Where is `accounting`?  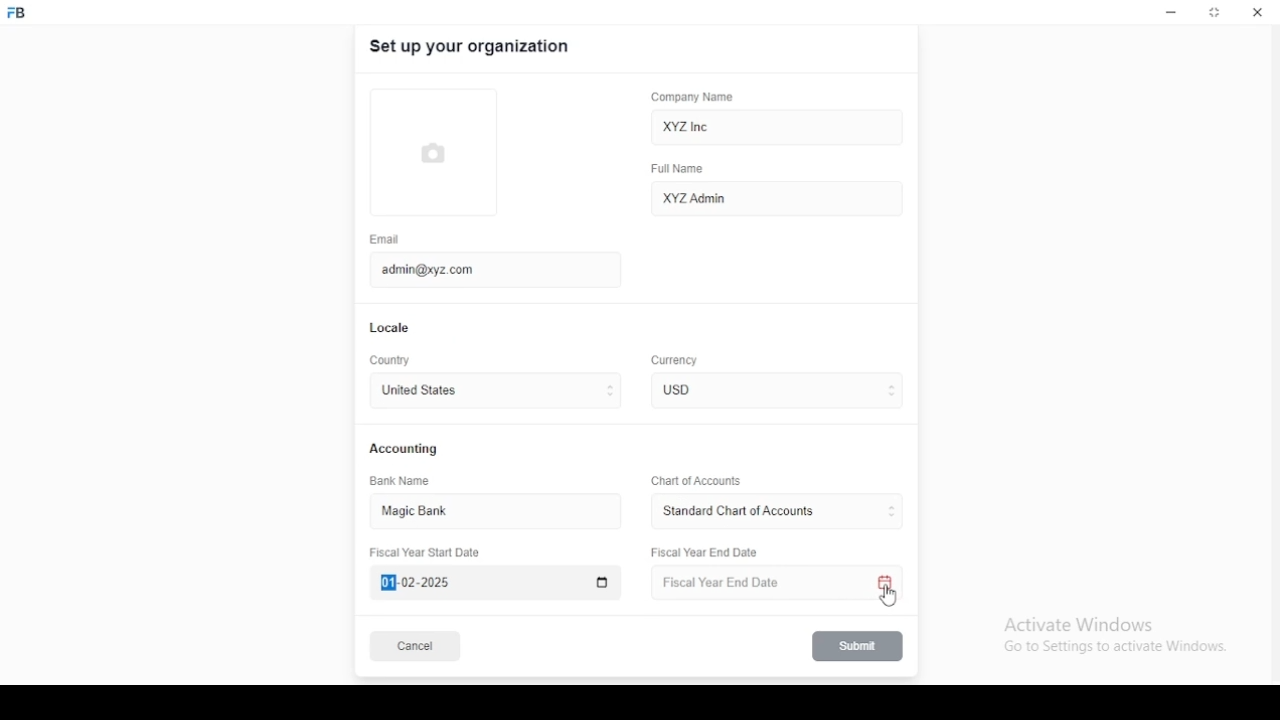 accounting is located at coordinates (405, 448).